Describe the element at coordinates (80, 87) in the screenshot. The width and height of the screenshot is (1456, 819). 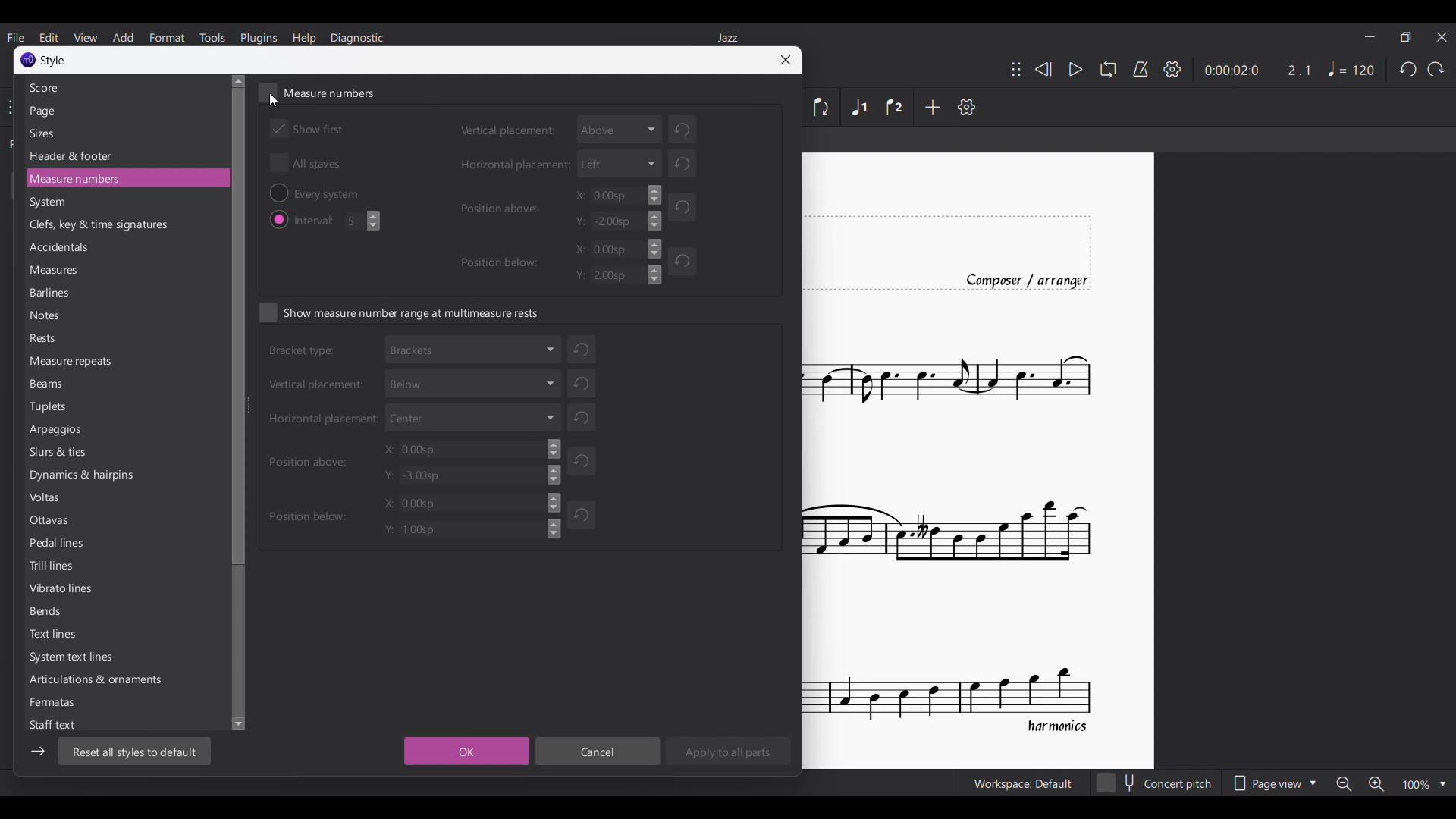
I see `Setting options under Styles` at that location.